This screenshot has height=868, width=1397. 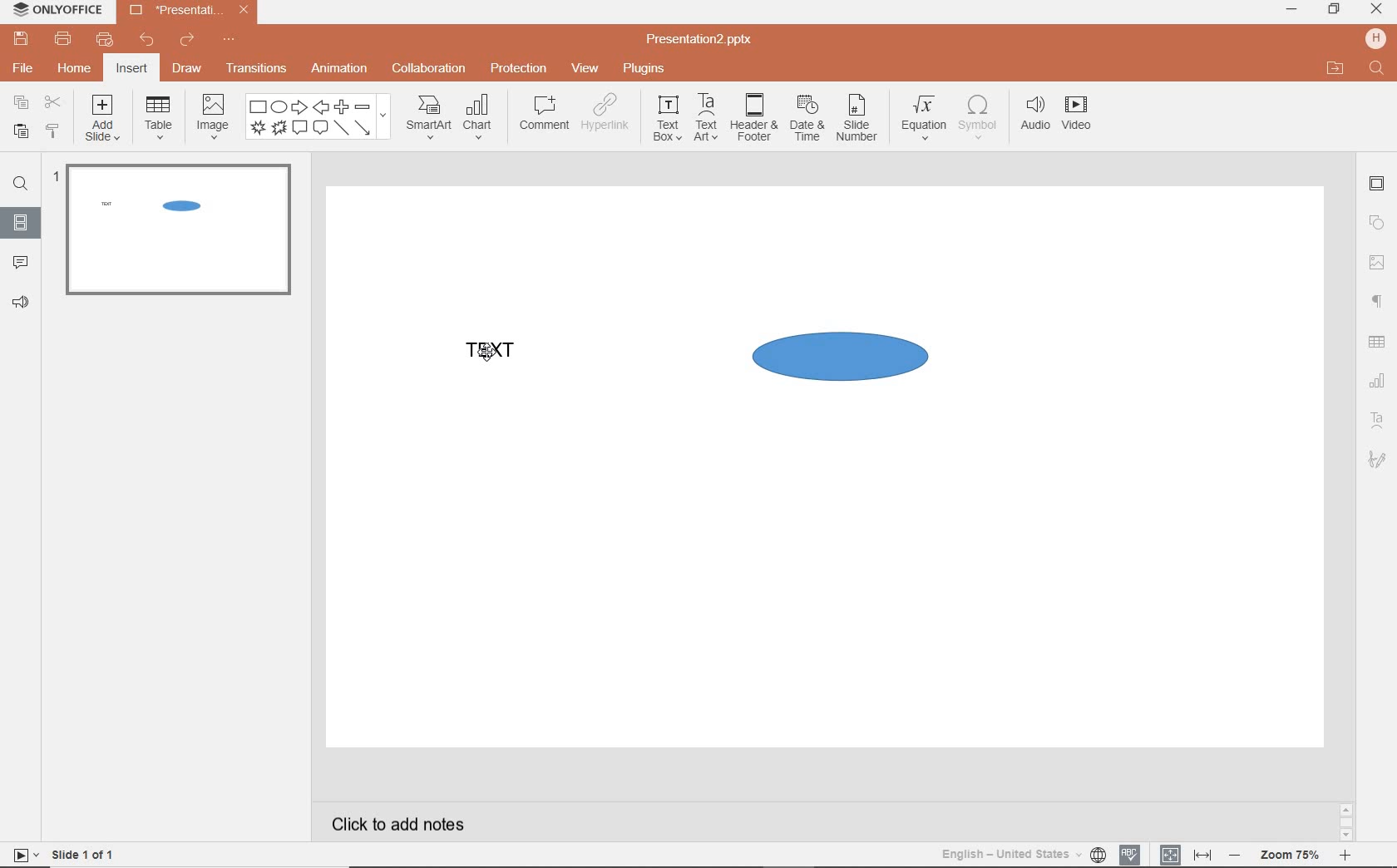 What do you see at coordinates (210, 116) in the screenshot?
I see `image` at bounding box center [210, 116].